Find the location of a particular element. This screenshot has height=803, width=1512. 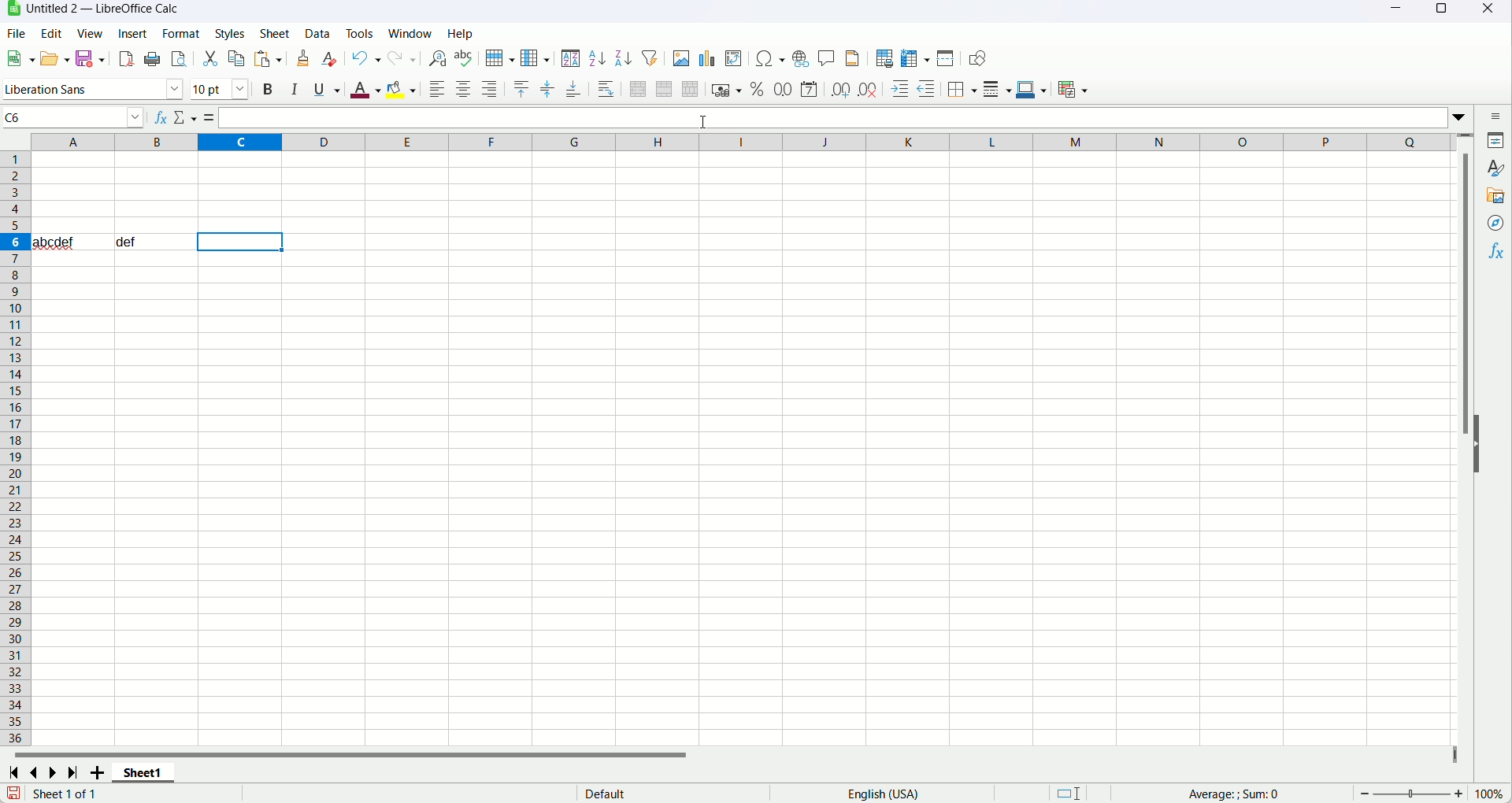

window is located at coordinates (409, 33).